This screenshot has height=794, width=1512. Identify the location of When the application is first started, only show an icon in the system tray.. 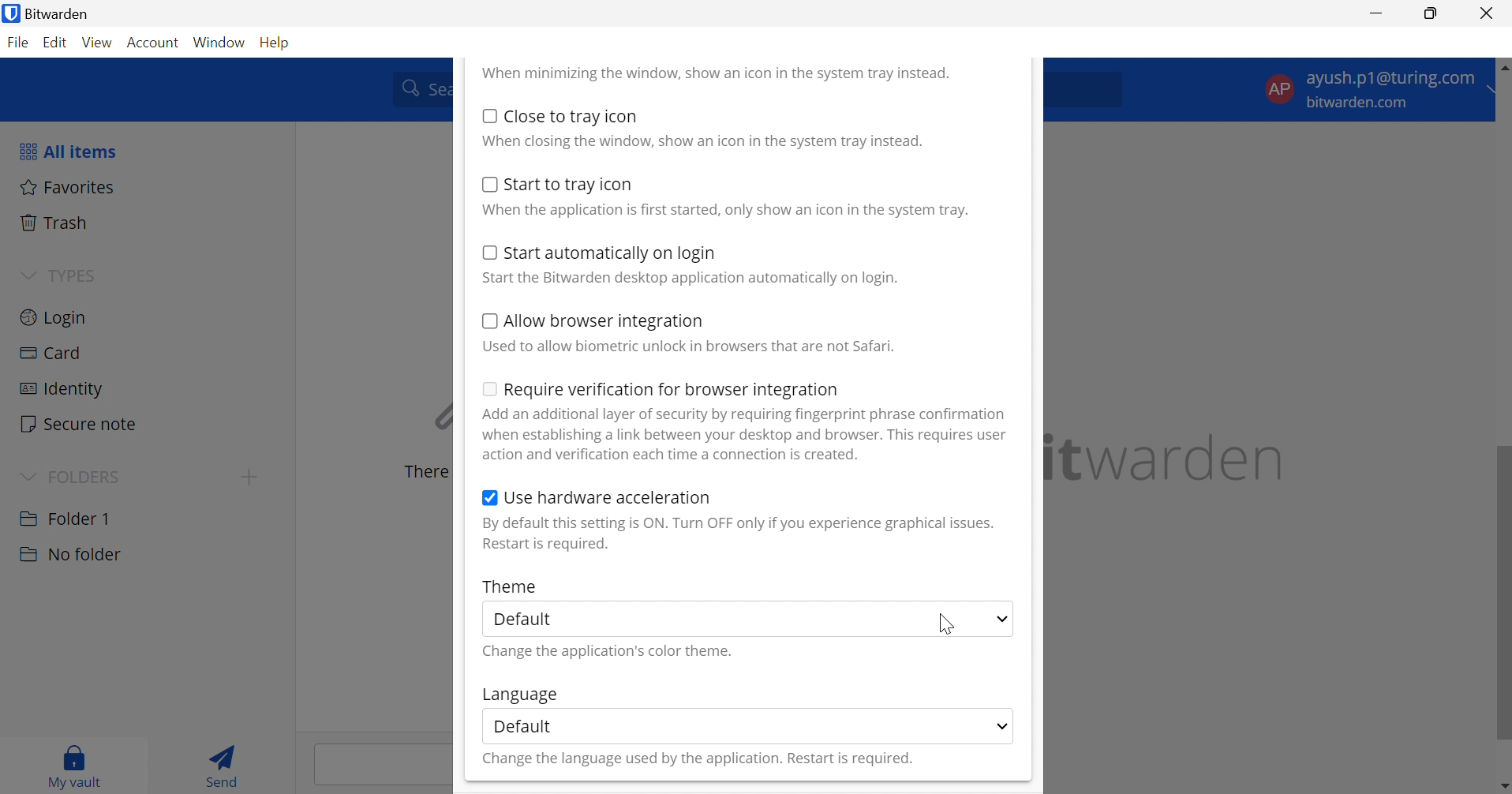
(724, 211).